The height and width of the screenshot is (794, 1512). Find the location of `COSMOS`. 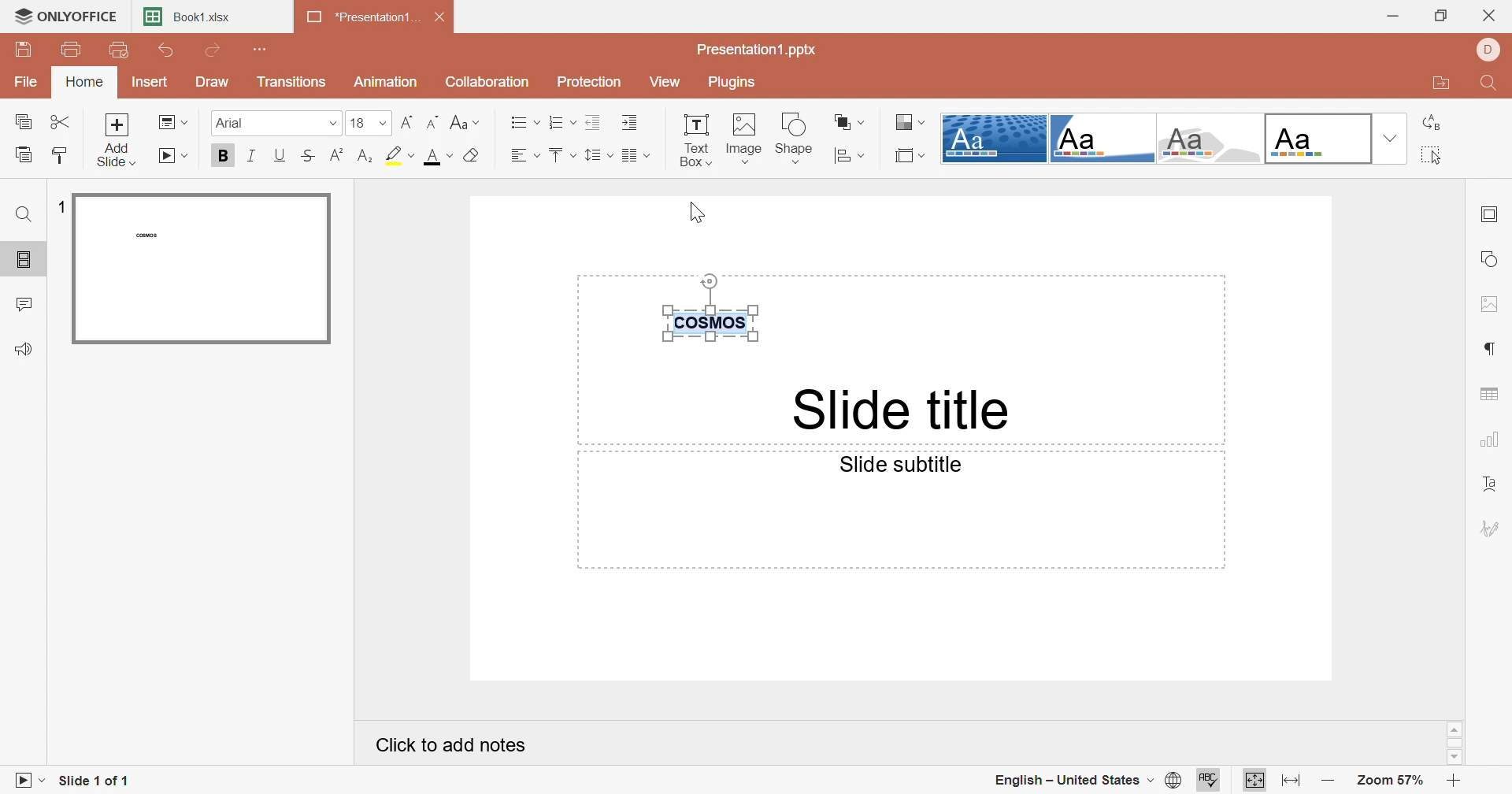

COSMOS is located at coordinates (708, 308).